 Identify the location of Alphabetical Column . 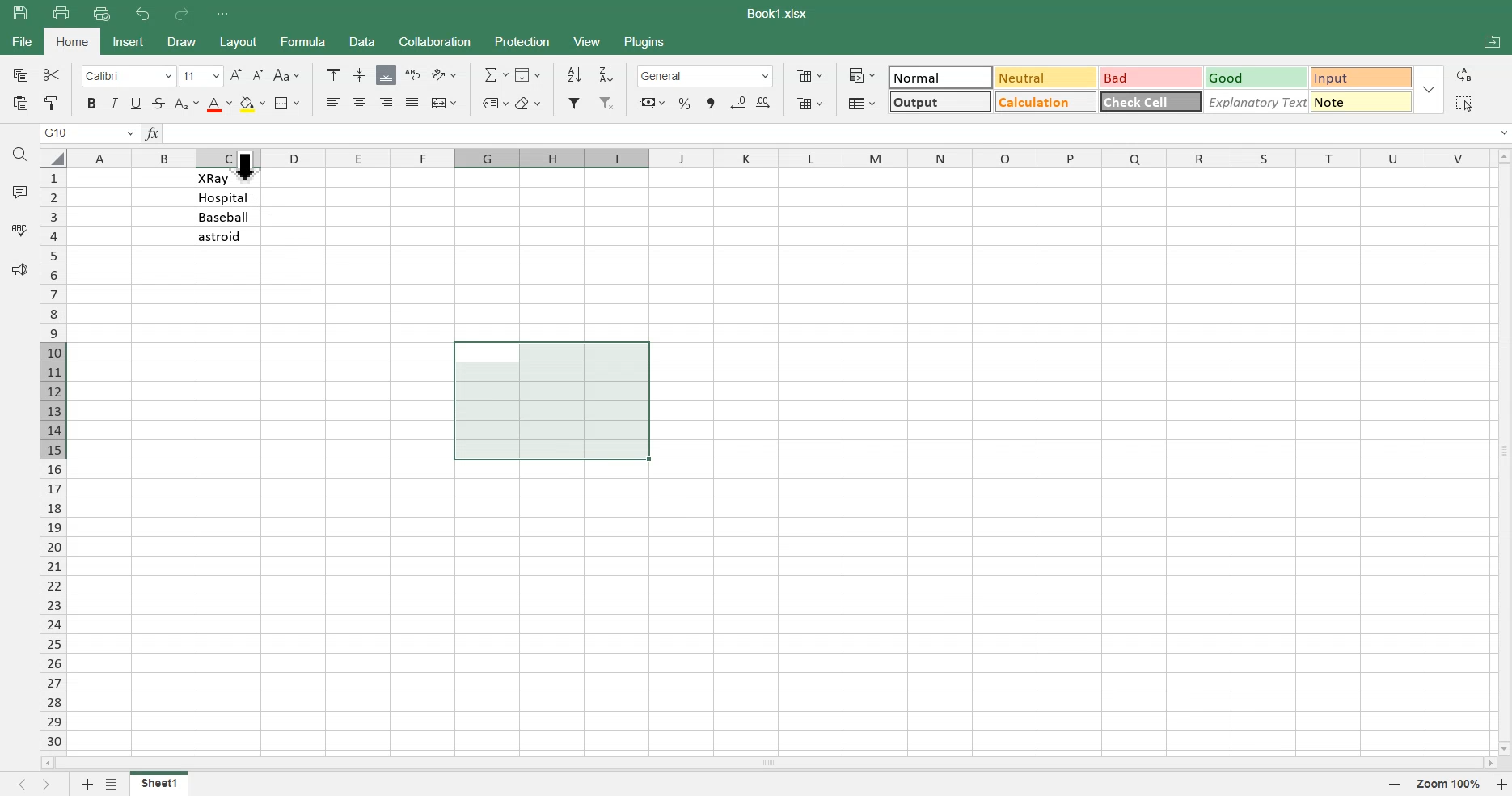
(777, 157).